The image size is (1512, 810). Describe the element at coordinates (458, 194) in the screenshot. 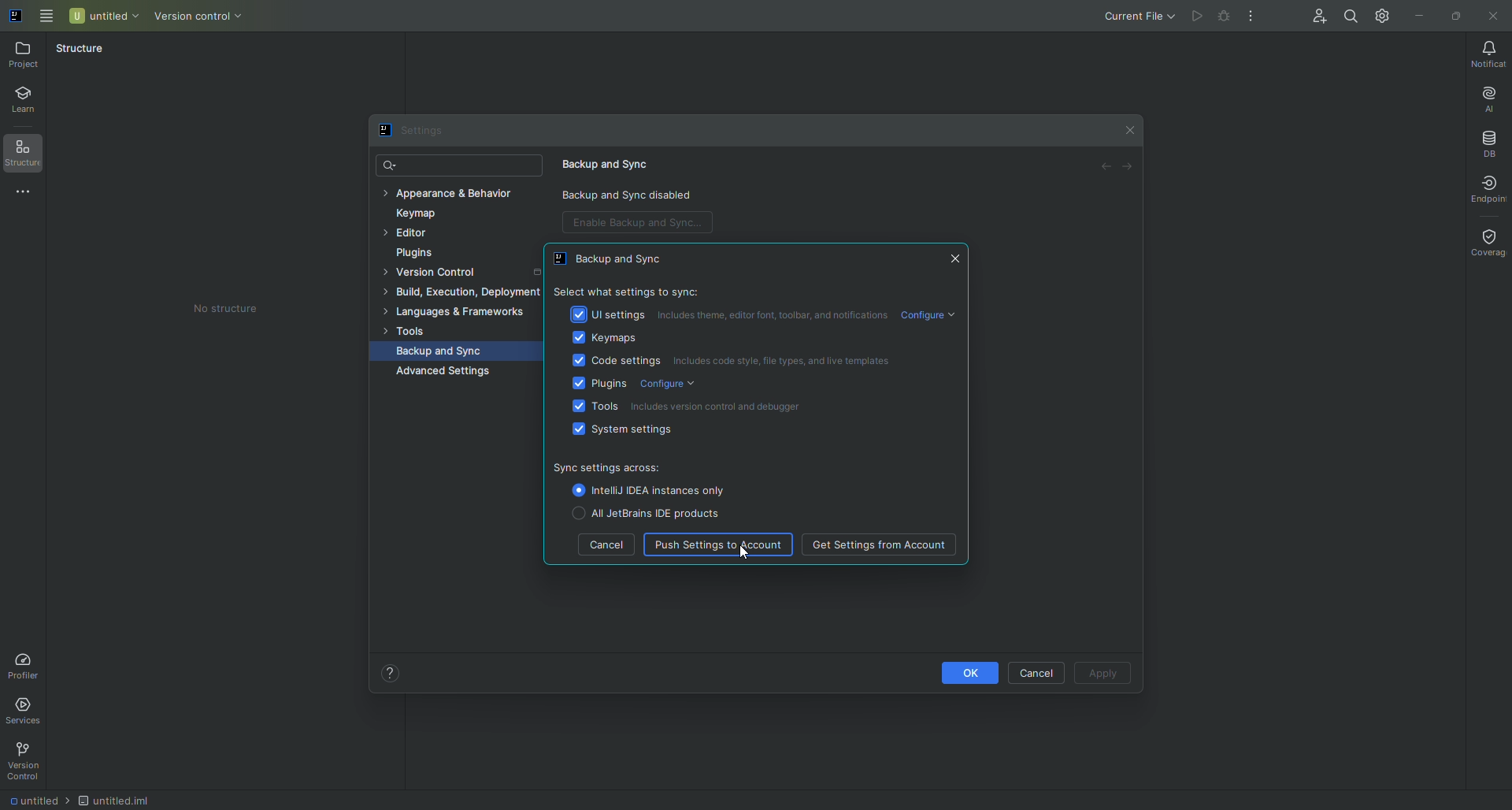

I see `Appearance and Behavior` at that location.